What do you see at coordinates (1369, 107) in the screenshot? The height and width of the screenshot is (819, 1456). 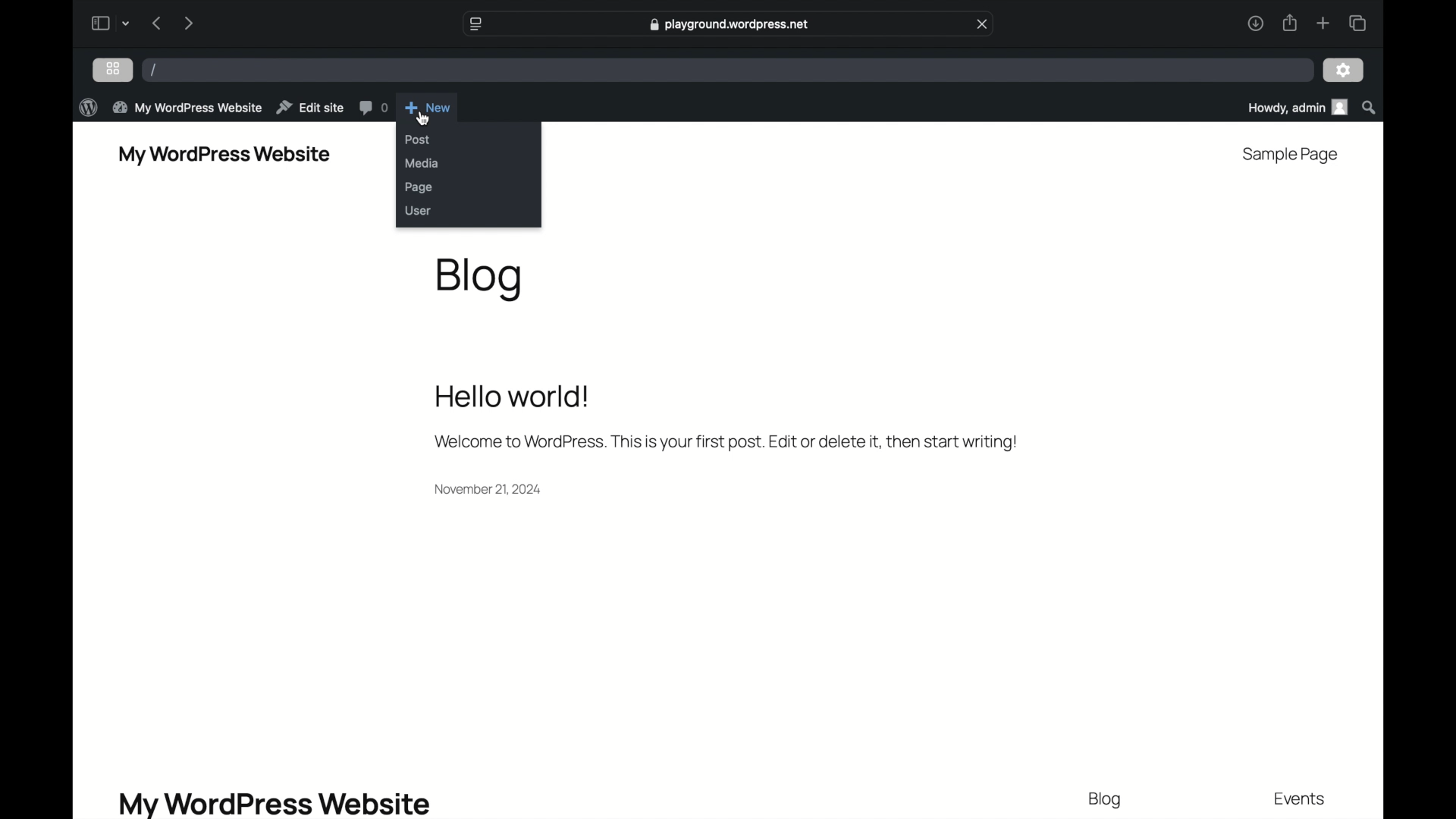 I see `search` at bounding box center [1369, 107].